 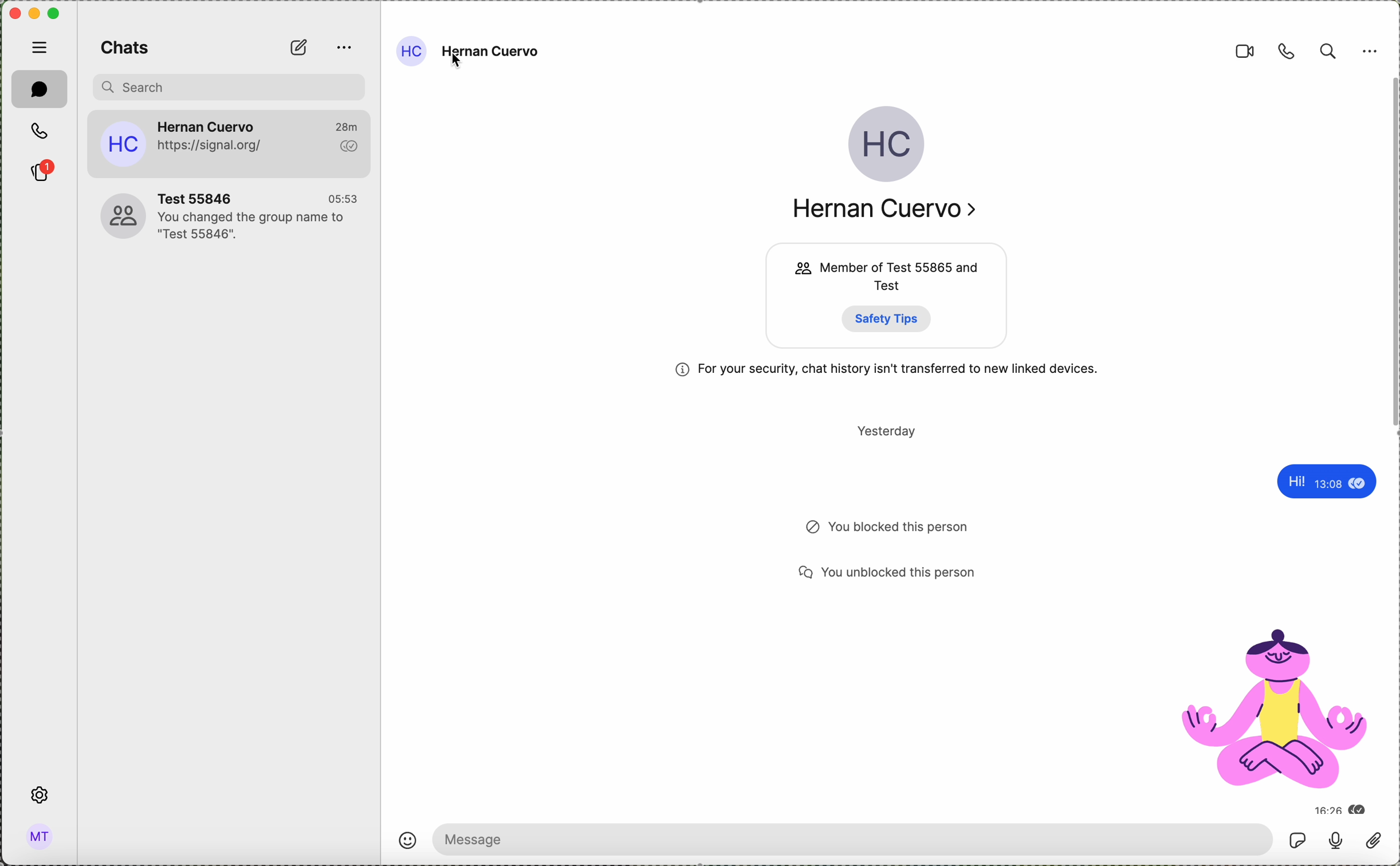 What do you see at coordinates (348, 146) in the screenshot?
I see `seen` at bounding box center [348, 146].